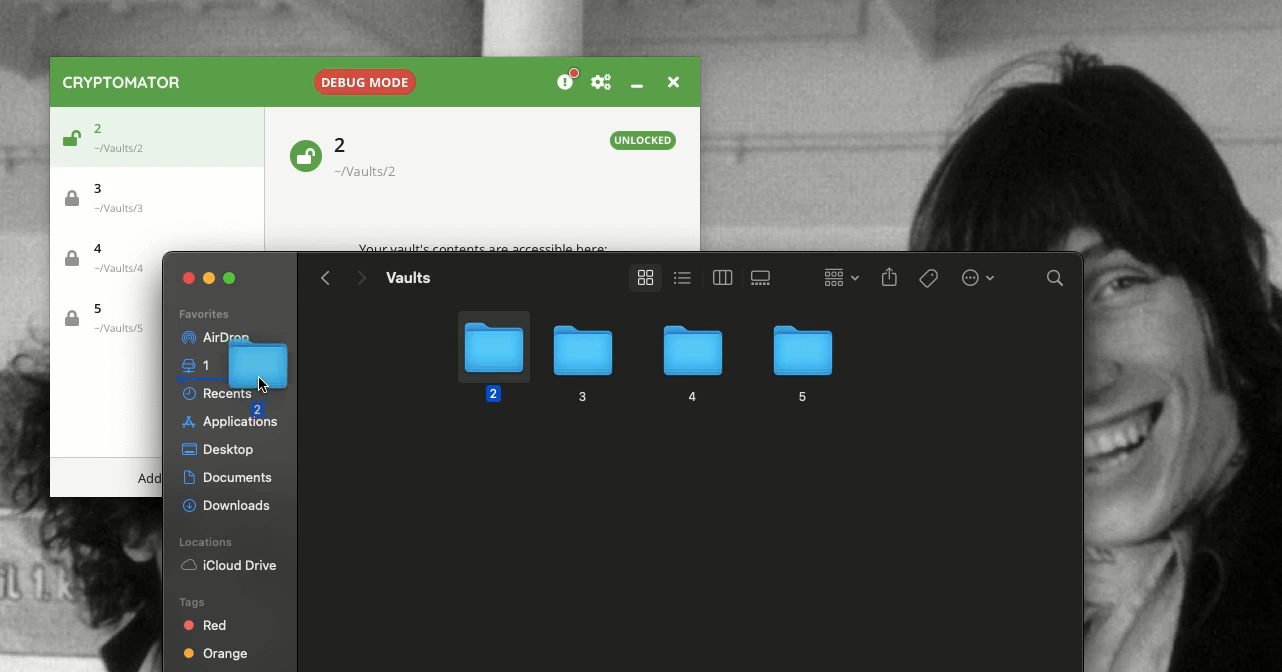 This screenshot has height=672, width=1282. Describe the element at coordinates (360, 280) in the screenshot. I see `Forward` at that location.